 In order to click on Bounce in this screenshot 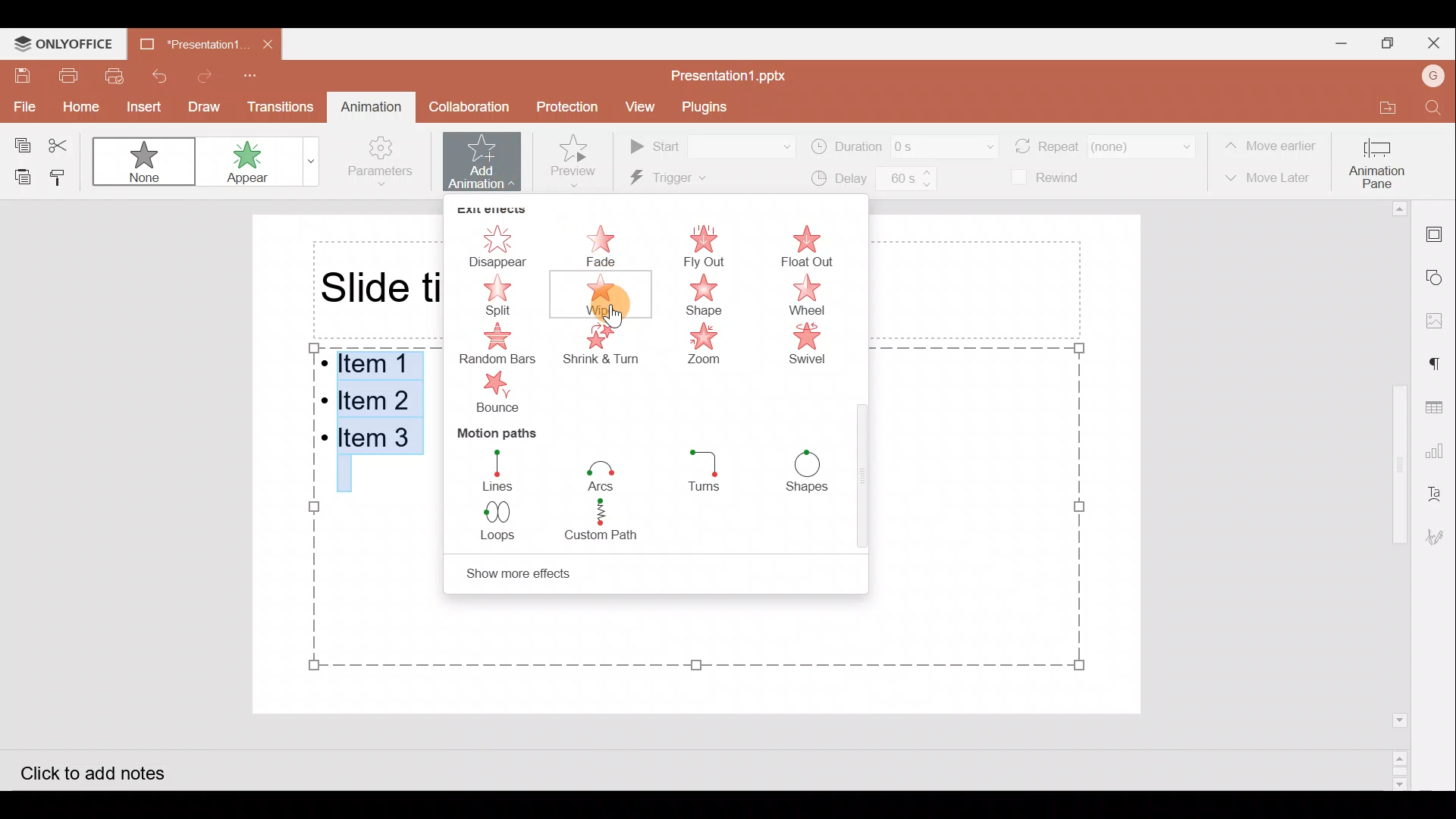, I will do `click(499, 394)`.